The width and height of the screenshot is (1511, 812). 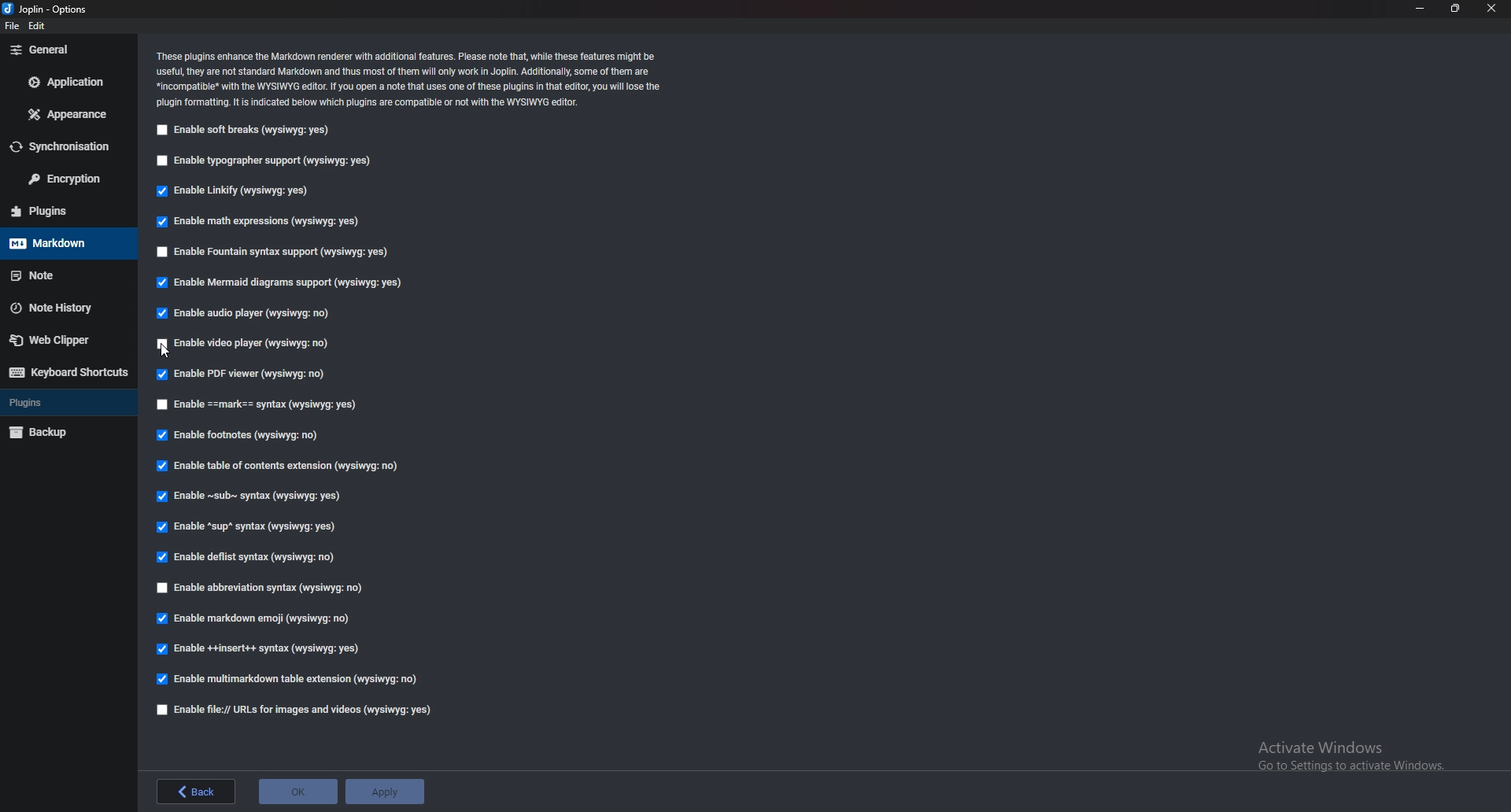 I want to click on Keyboard shortcuts, so click(x=68, y=372).